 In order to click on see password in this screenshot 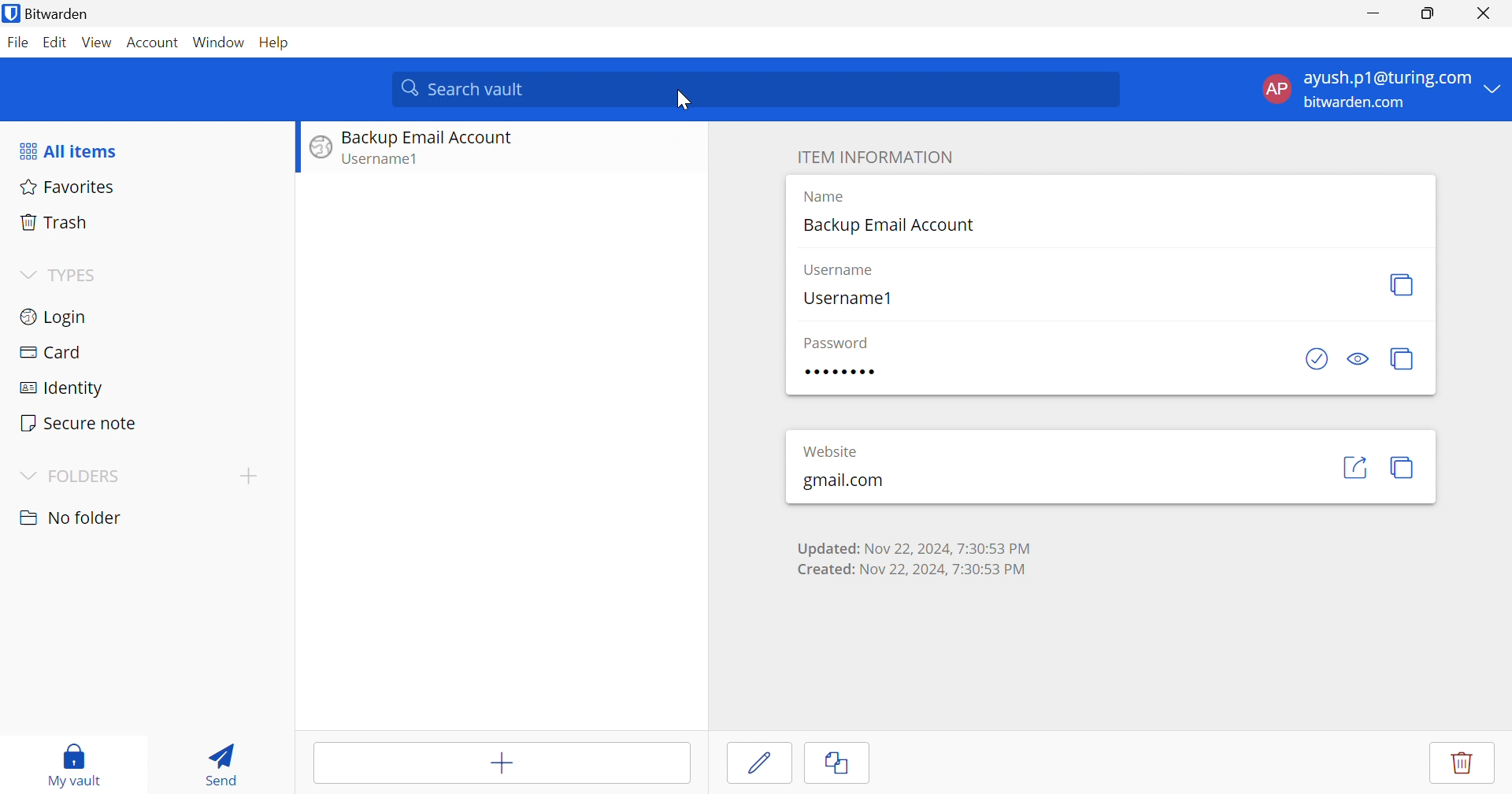, I will do `click(1358, 361)`.